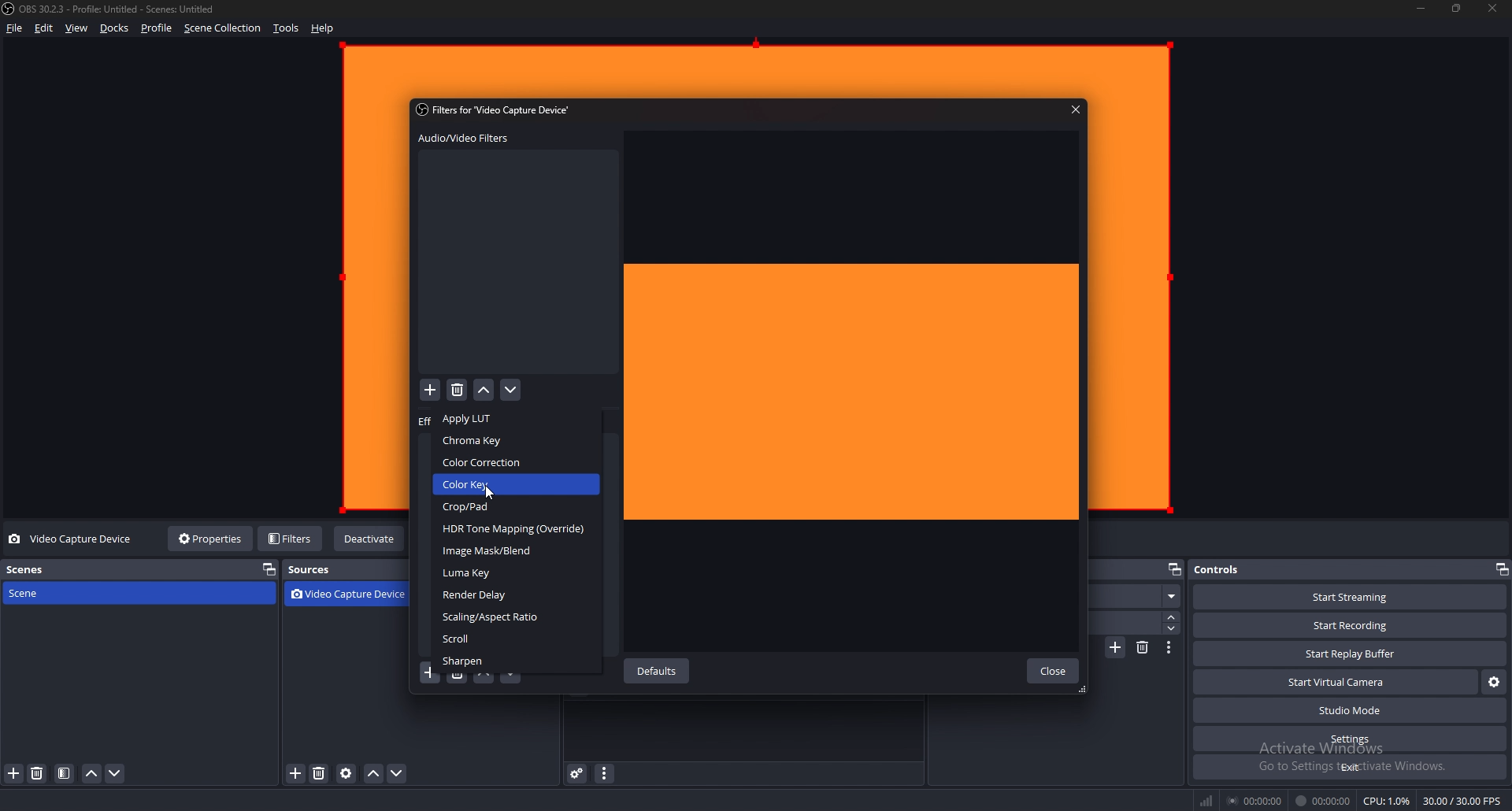  Describe the element at coordinates (398, 775) in the screenshot. I see `move source down` at that location.